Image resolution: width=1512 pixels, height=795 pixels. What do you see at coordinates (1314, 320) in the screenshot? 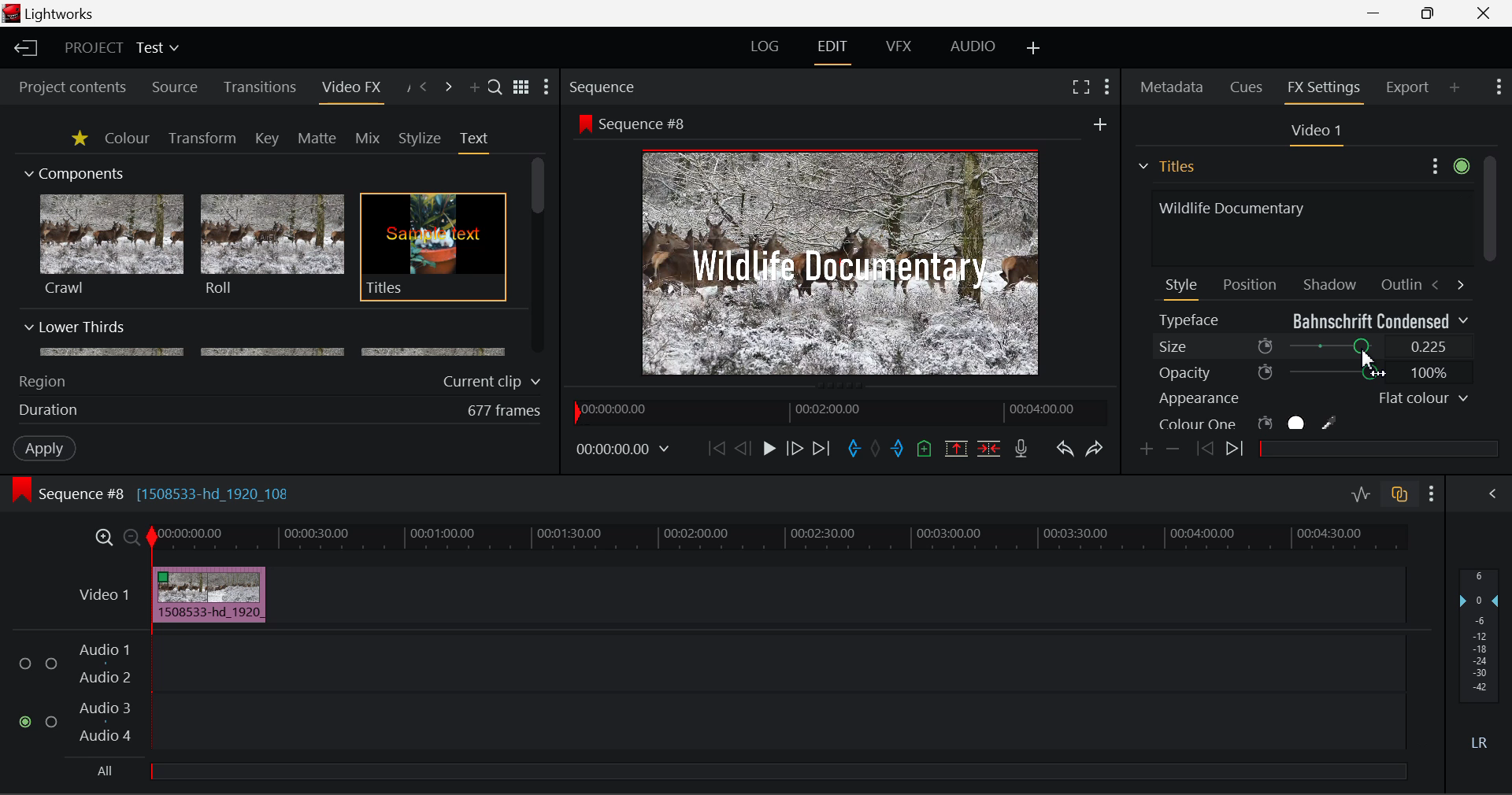
I see `Typeface` at bounding box center [1314, 320].